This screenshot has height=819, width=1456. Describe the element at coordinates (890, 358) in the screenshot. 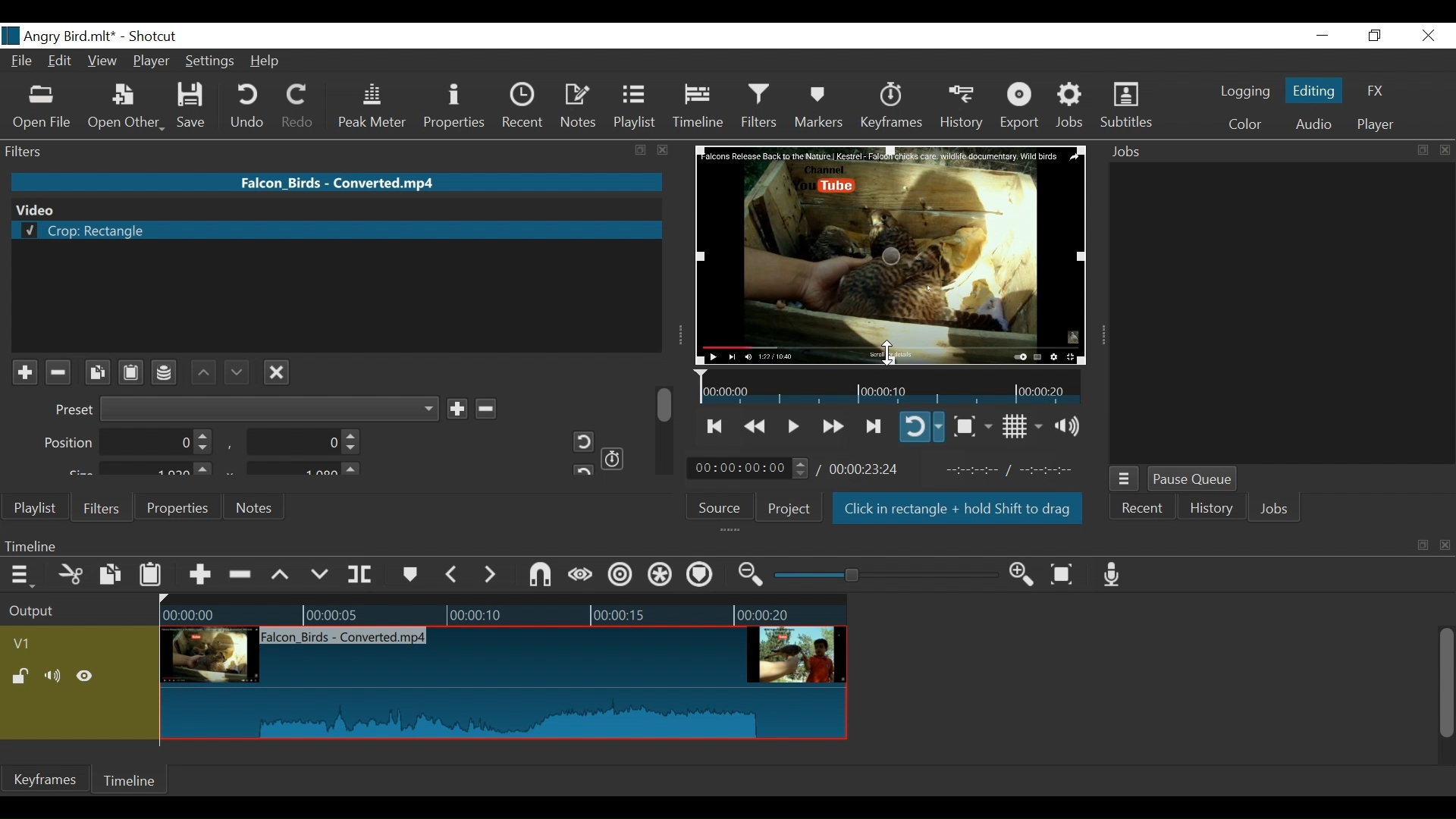

I see `cursor` at that location.